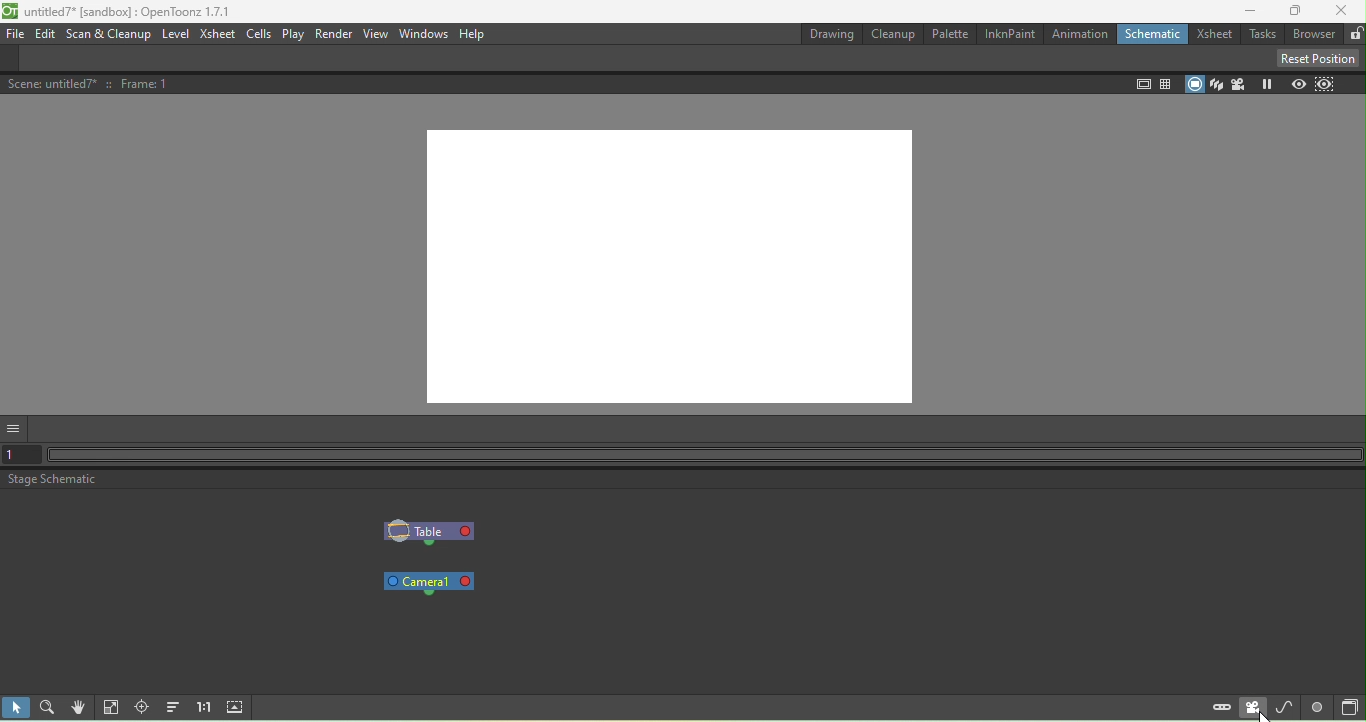 Image resolution: width=1366 pixels, height=722 pixels. What do you see at coordinates (1164, 85) in the screenshot?
I see `field guide` at bounding box center [1164, 85].